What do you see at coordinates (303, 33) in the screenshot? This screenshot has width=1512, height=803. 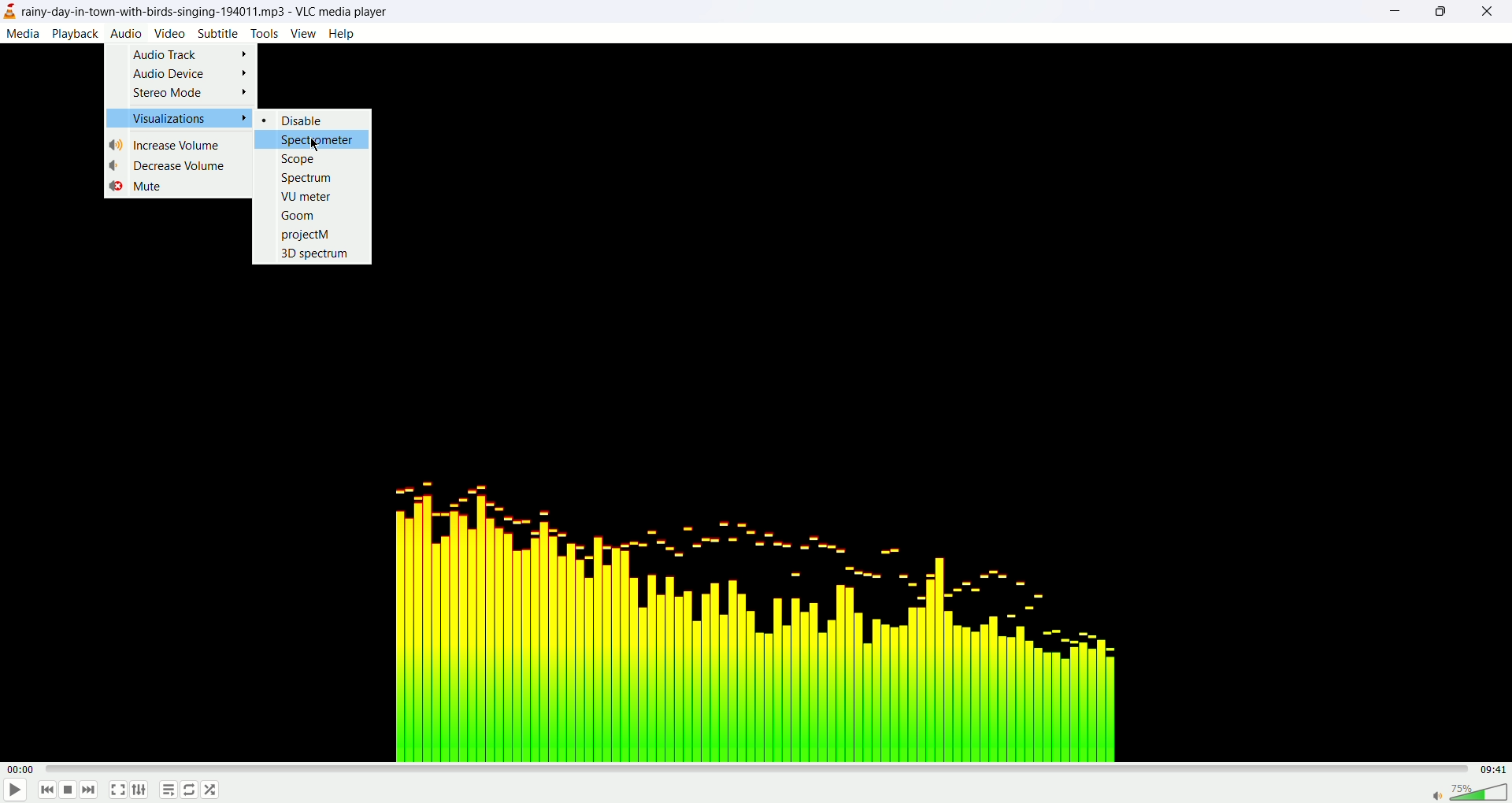 I see `view` at bounding box center [303, 33].